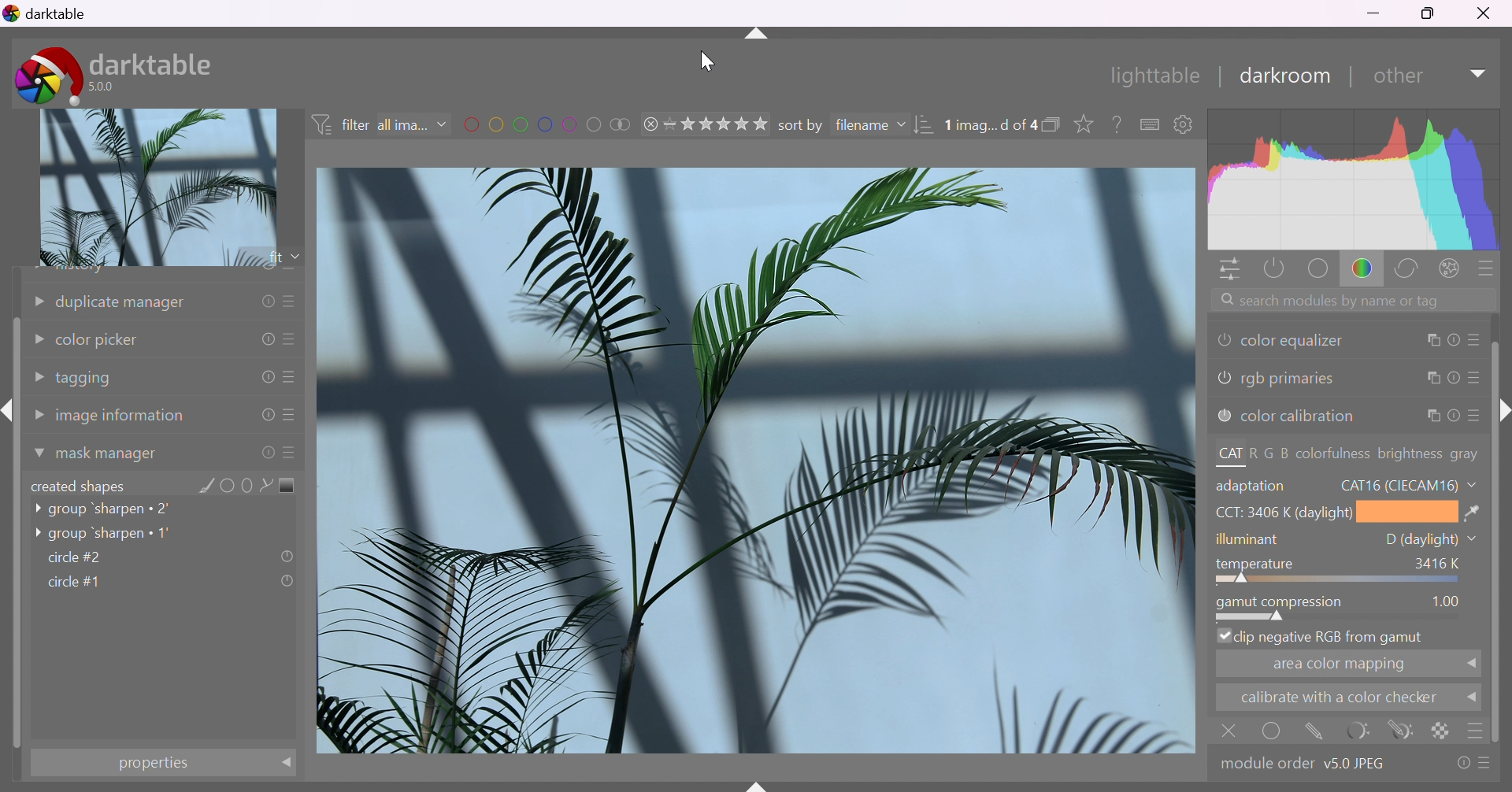 The height and width of the screenshot is (792, 1512). I want to click on color equalizer, so click(1345, 342).